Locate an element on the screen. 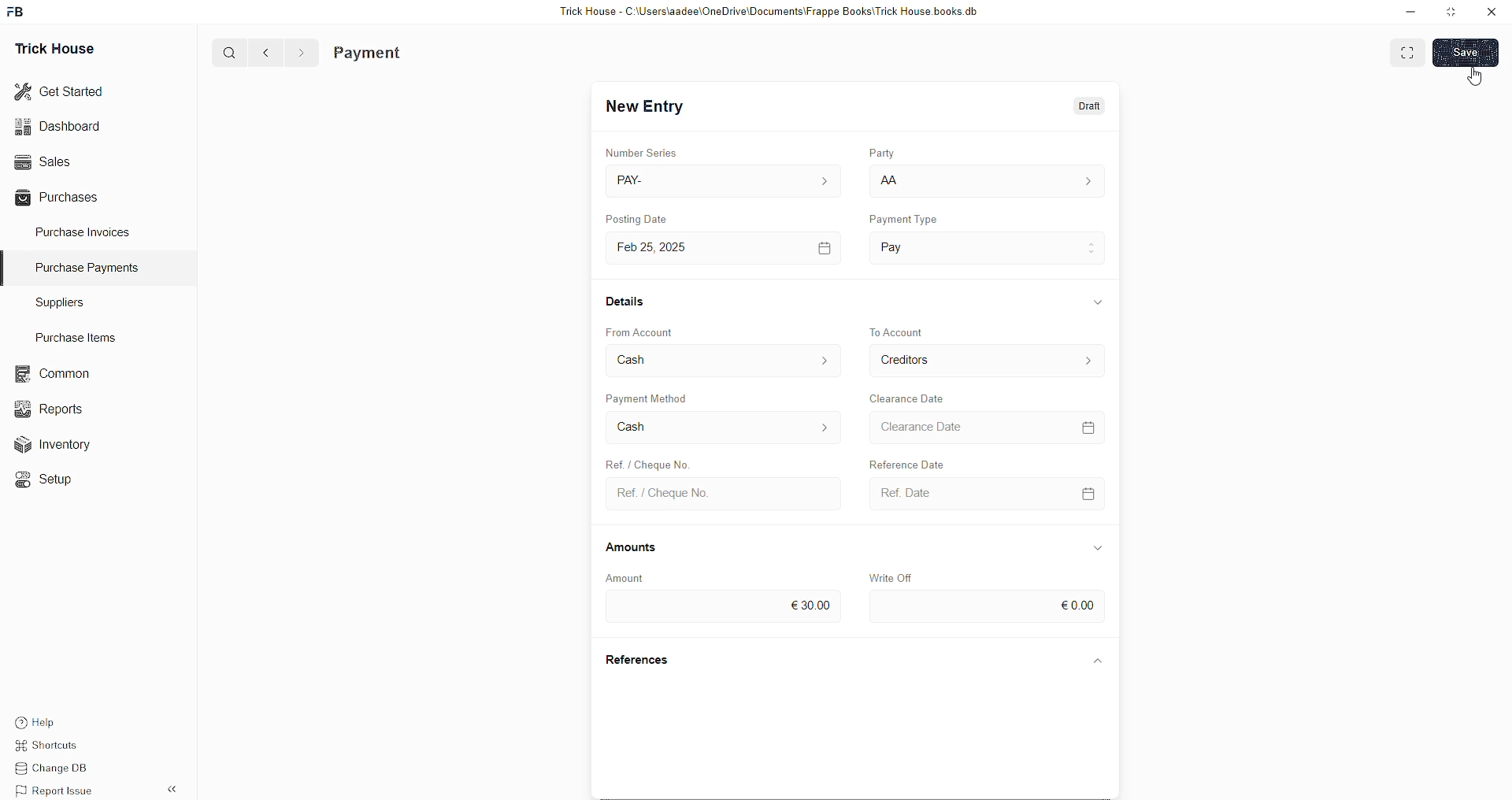 The height and width of the screenshot is (800, 1512). Ref. Date is located at coordinates (913, 490).